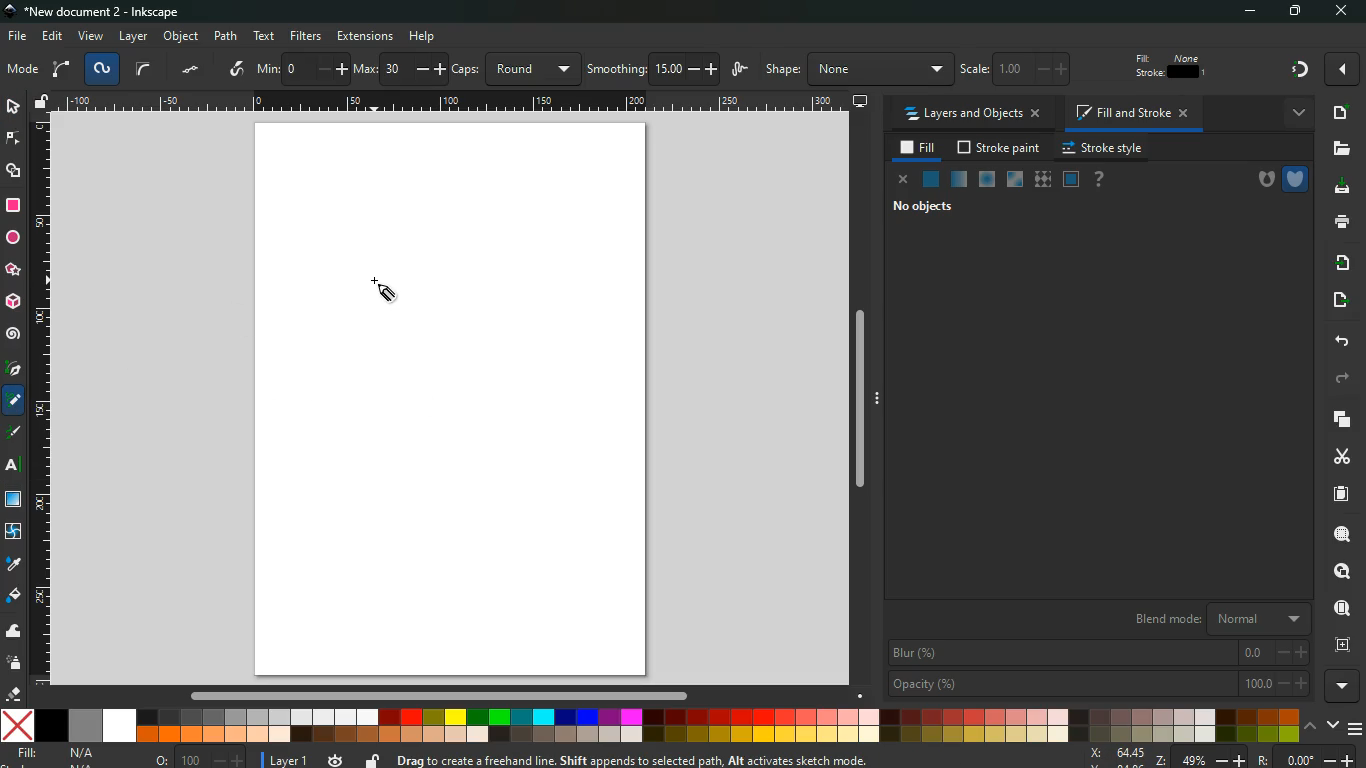  I want to click on file, so click(15, 38).